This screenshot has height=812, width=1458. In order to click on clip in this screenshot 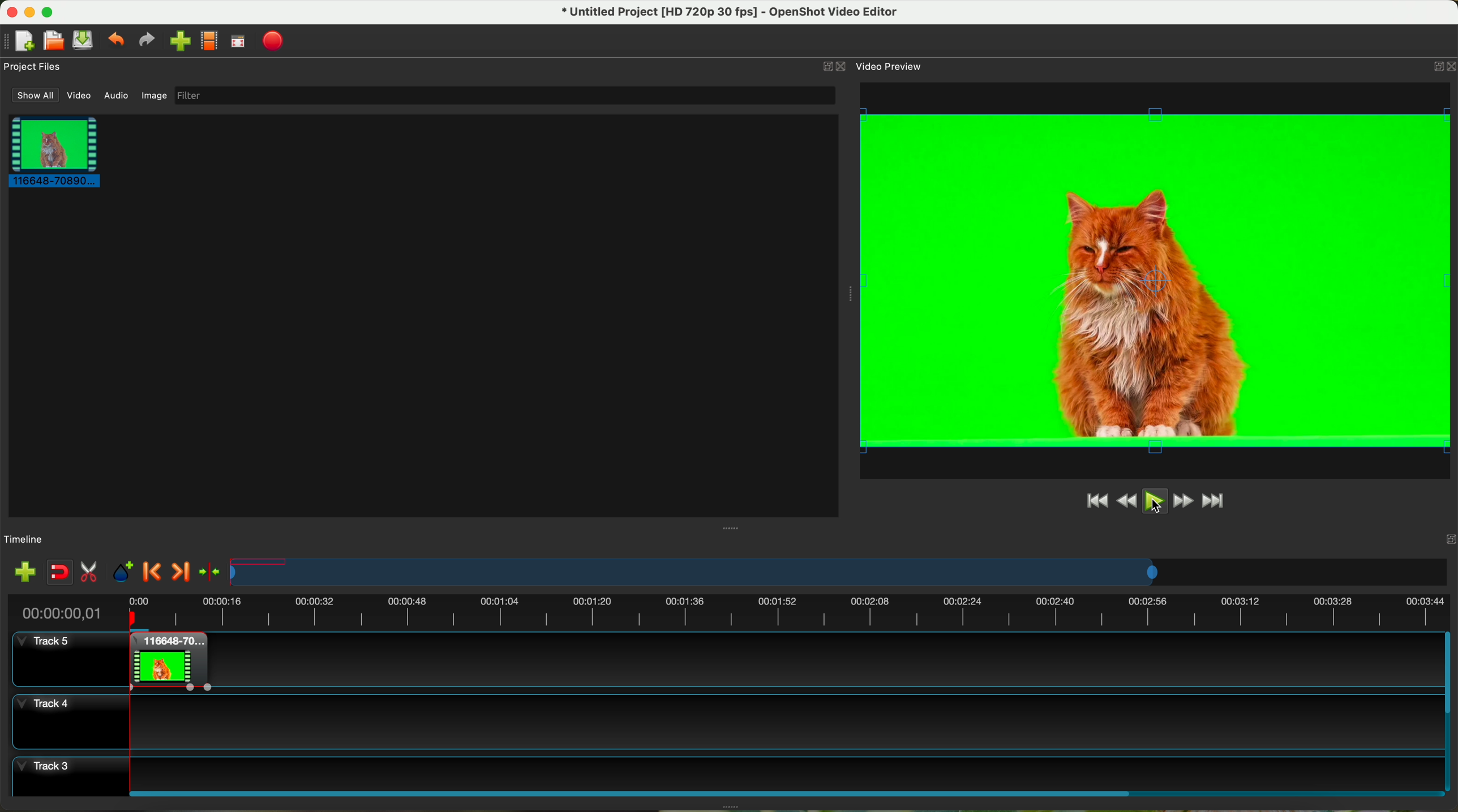, I will do `click(51, 151)`.